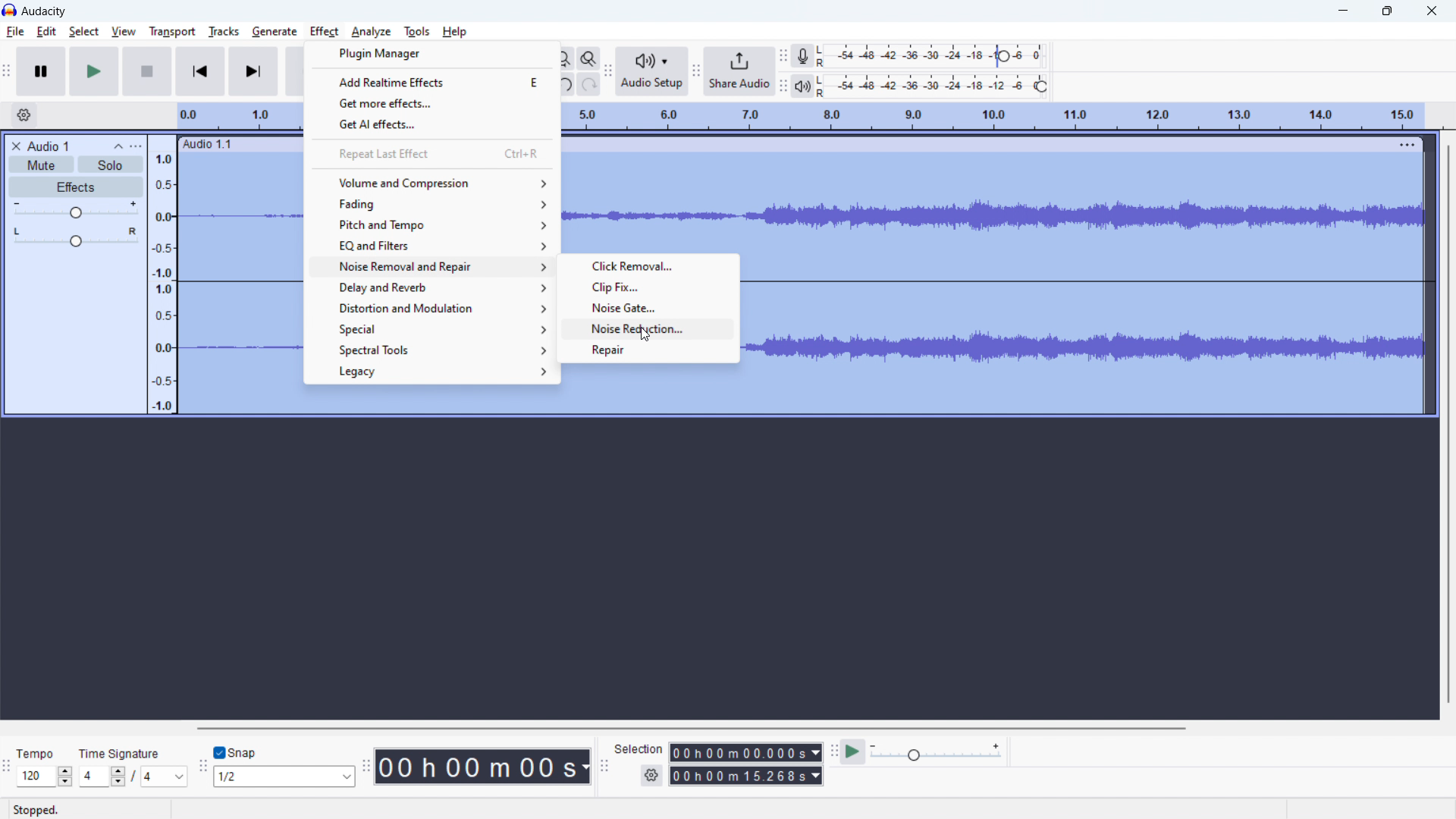 The height and width of the screenshot is (819, 1456). I want to click on play at speed, so click(852, 752).